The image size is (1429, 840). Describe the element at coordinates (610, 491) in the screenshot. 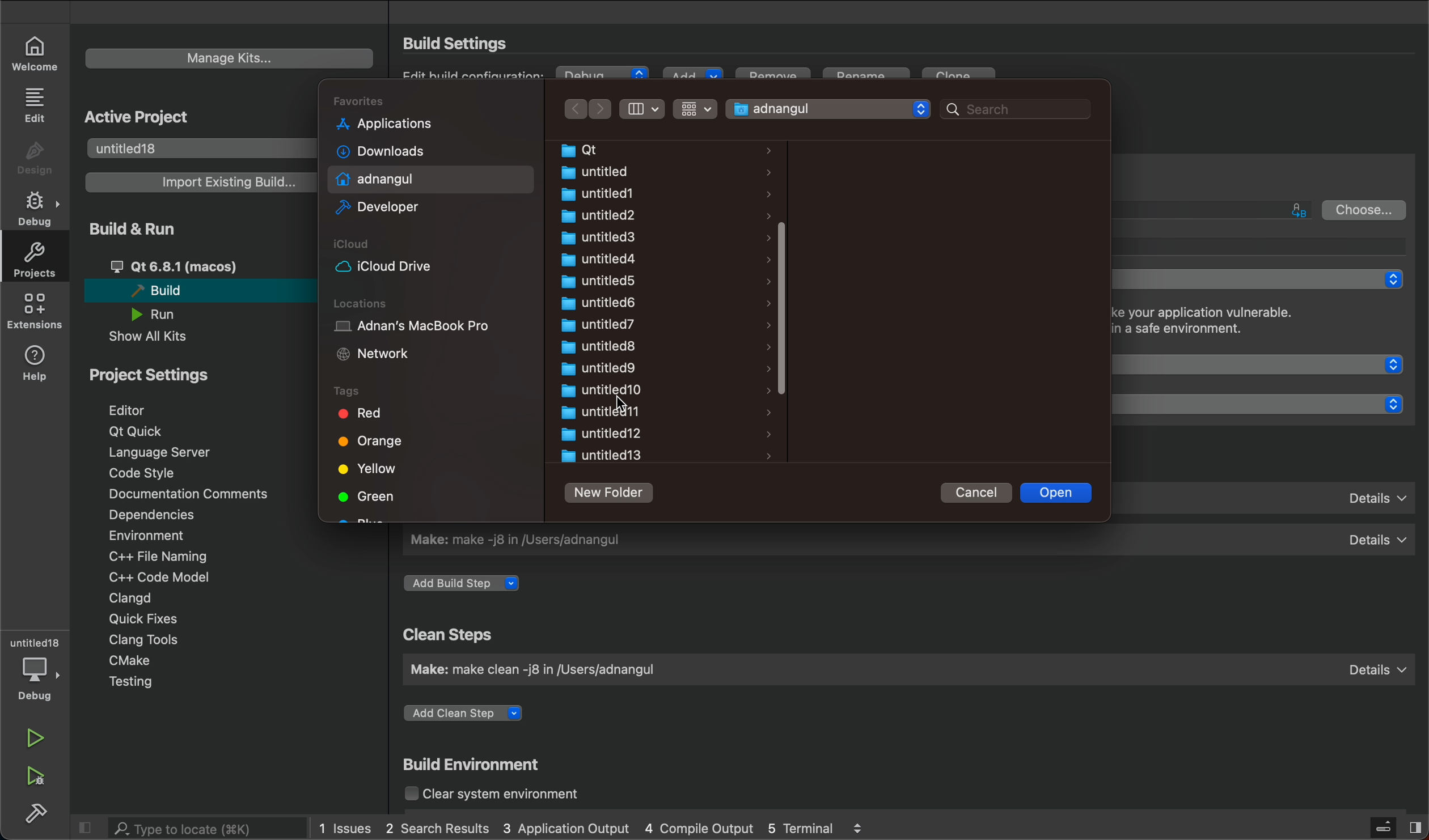

I see `new folder` at that location.